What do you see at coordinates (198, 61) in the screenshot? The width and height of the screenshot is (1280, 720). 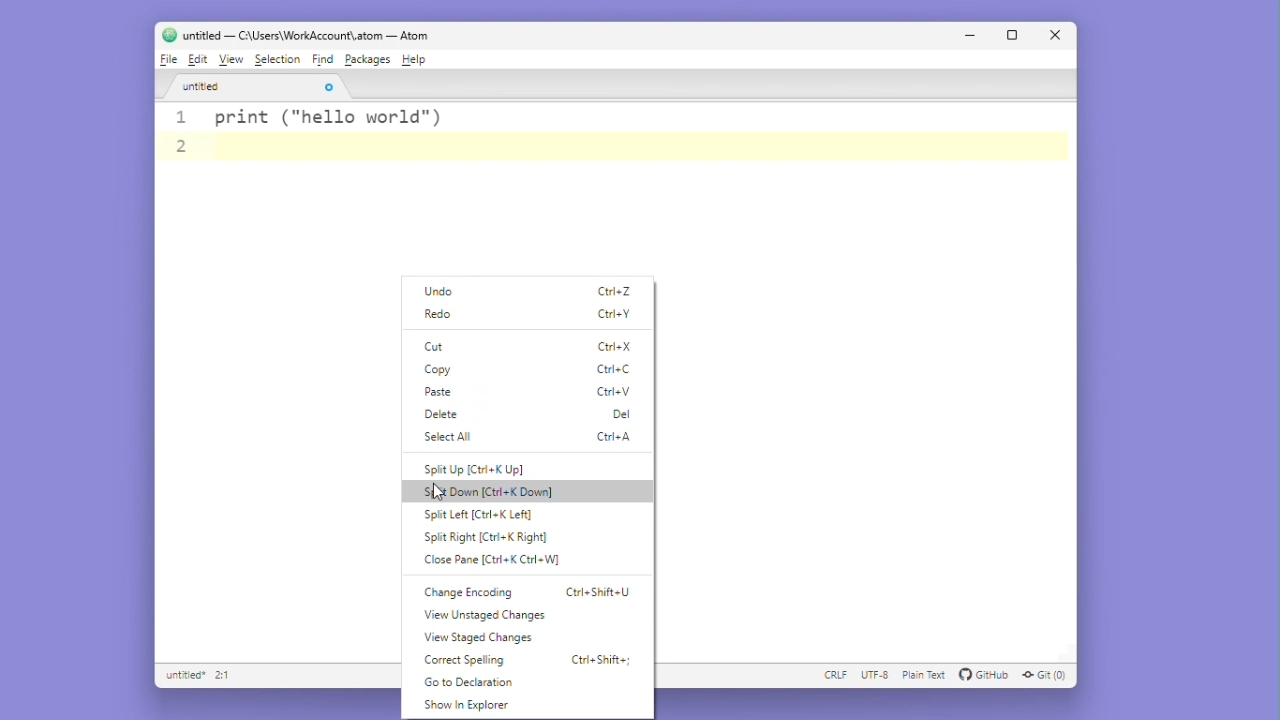 I see `Edit` at bounding box center [198, 61].